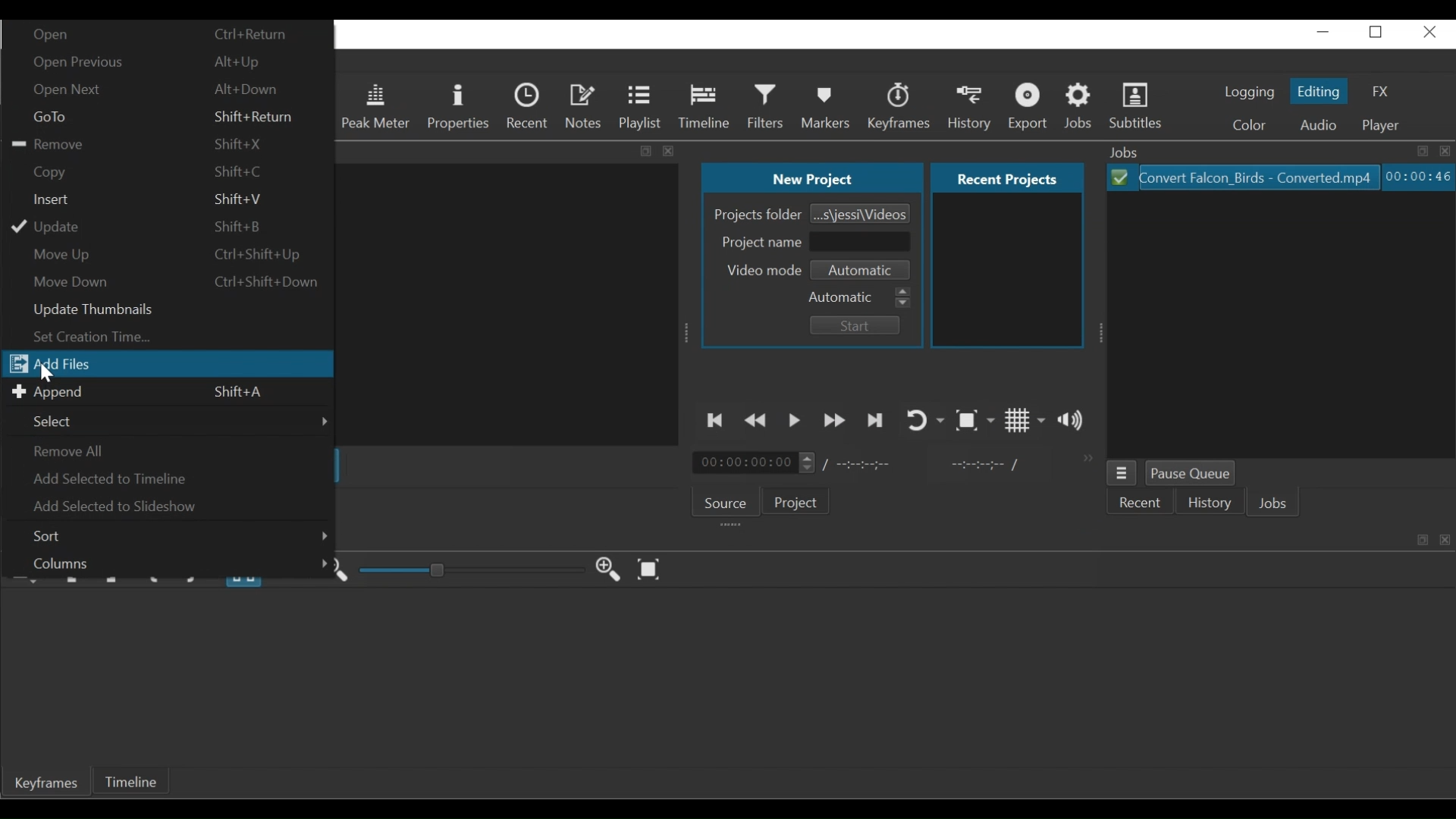 The image size is (1456, 819). I want to click on Remove all, so click(175, 450).